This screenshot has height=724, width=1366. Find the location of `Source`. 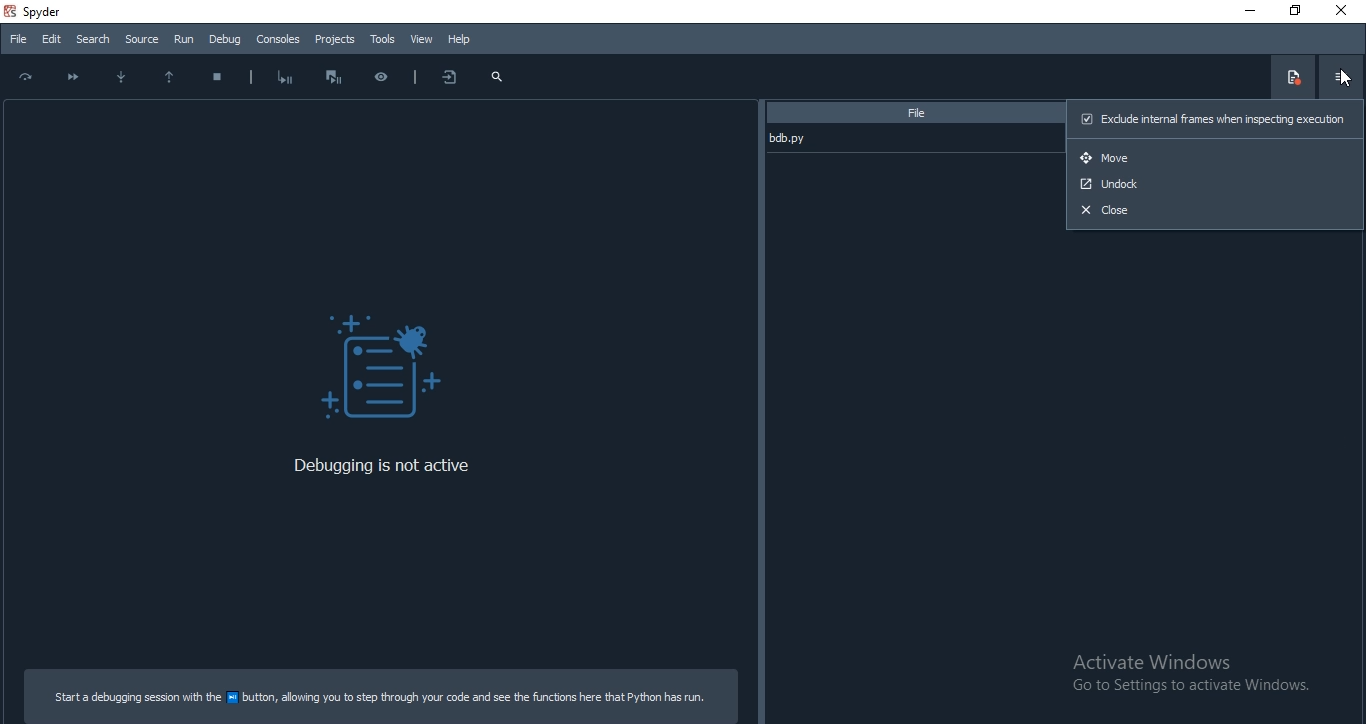

Source is located at coordinates (141, 38).